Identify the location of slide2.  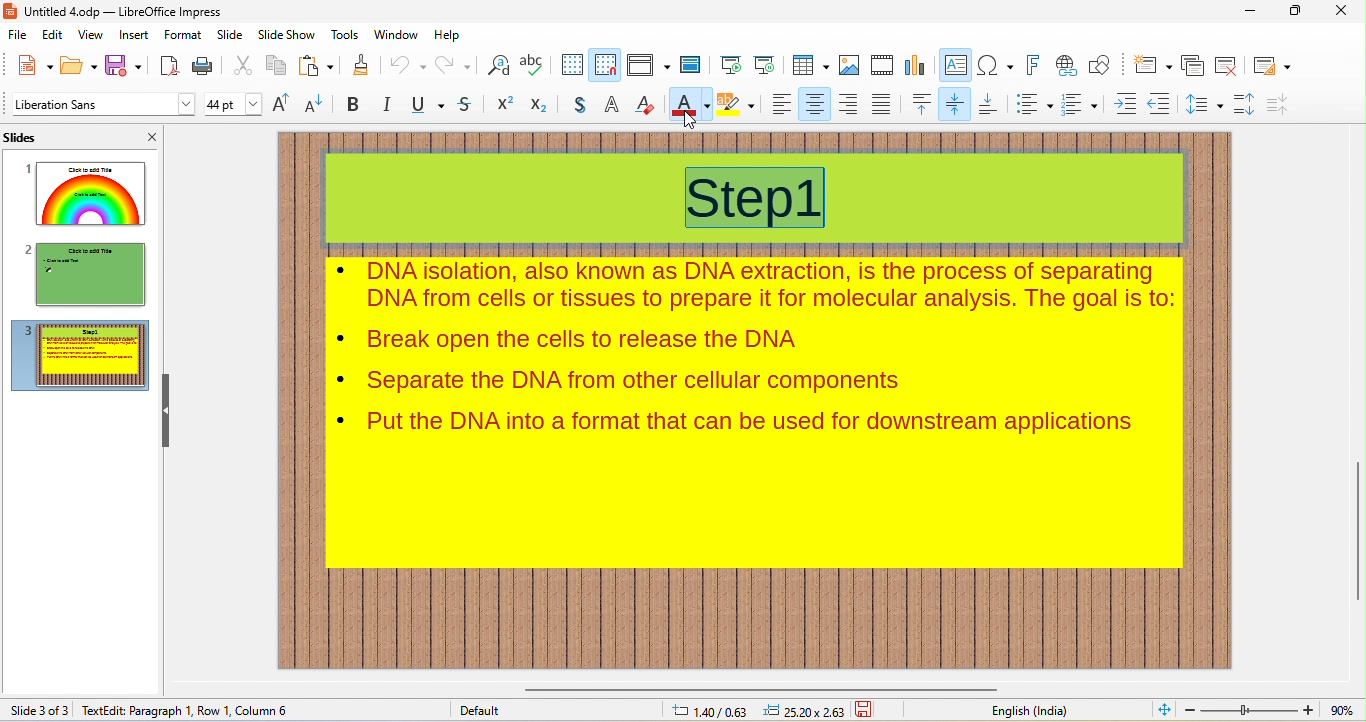
(79, 273).